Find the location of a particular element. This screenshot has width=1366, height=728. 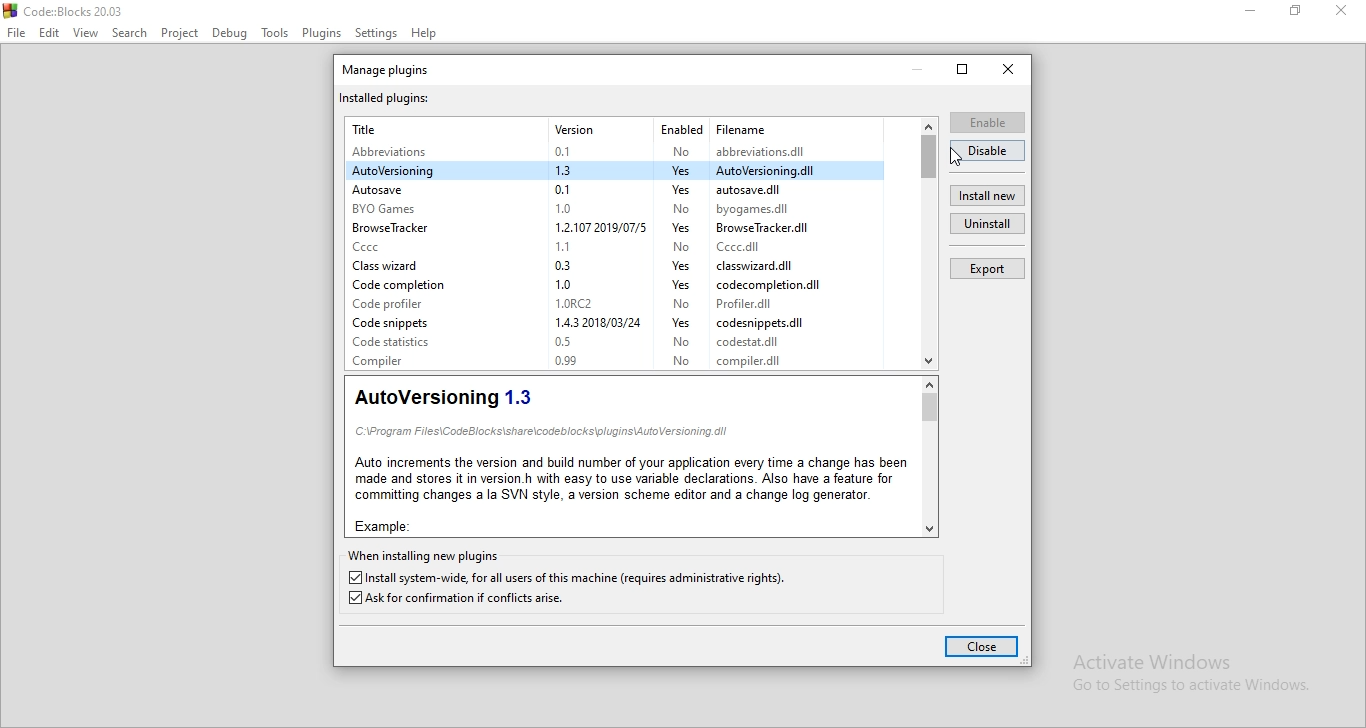

Scroll down is located at coordinates (928, 530).